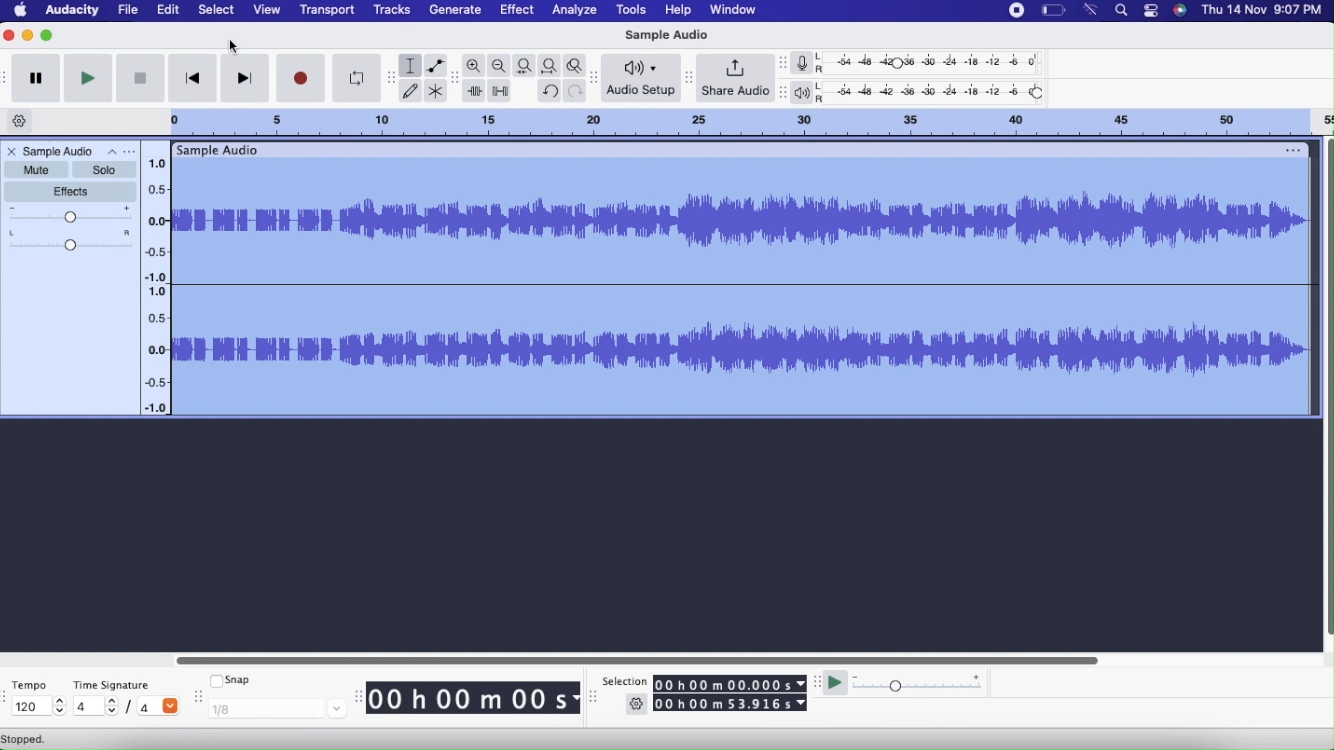 The height and width of the screenshot is (750, 1334). Describe the element at coordinates (33, 741) in the screenshot. I see `Stopped` at that location.